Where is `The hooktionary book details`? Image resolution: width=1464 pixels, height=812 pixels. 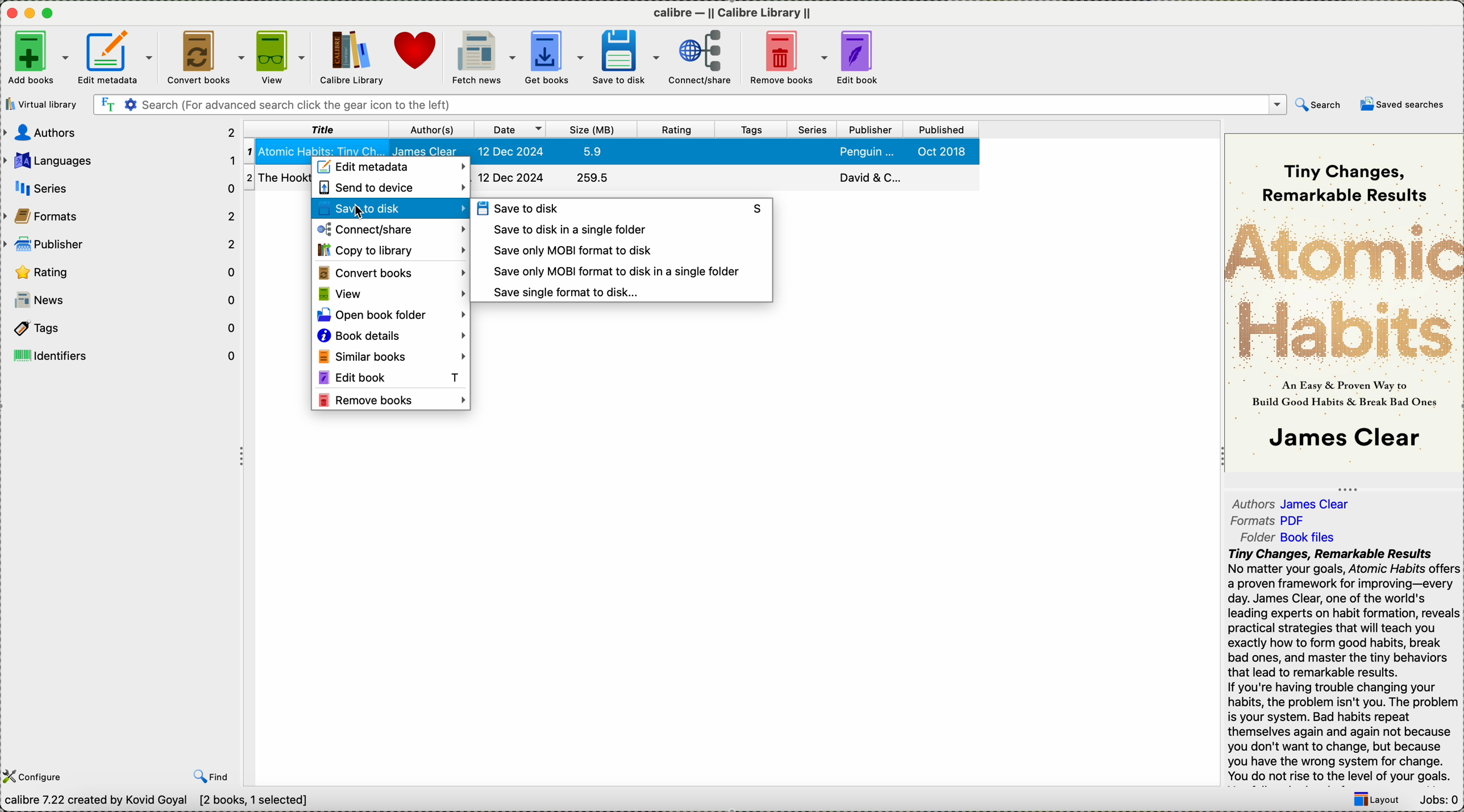 The hooktionary book details is located at coordinates (725, 178).